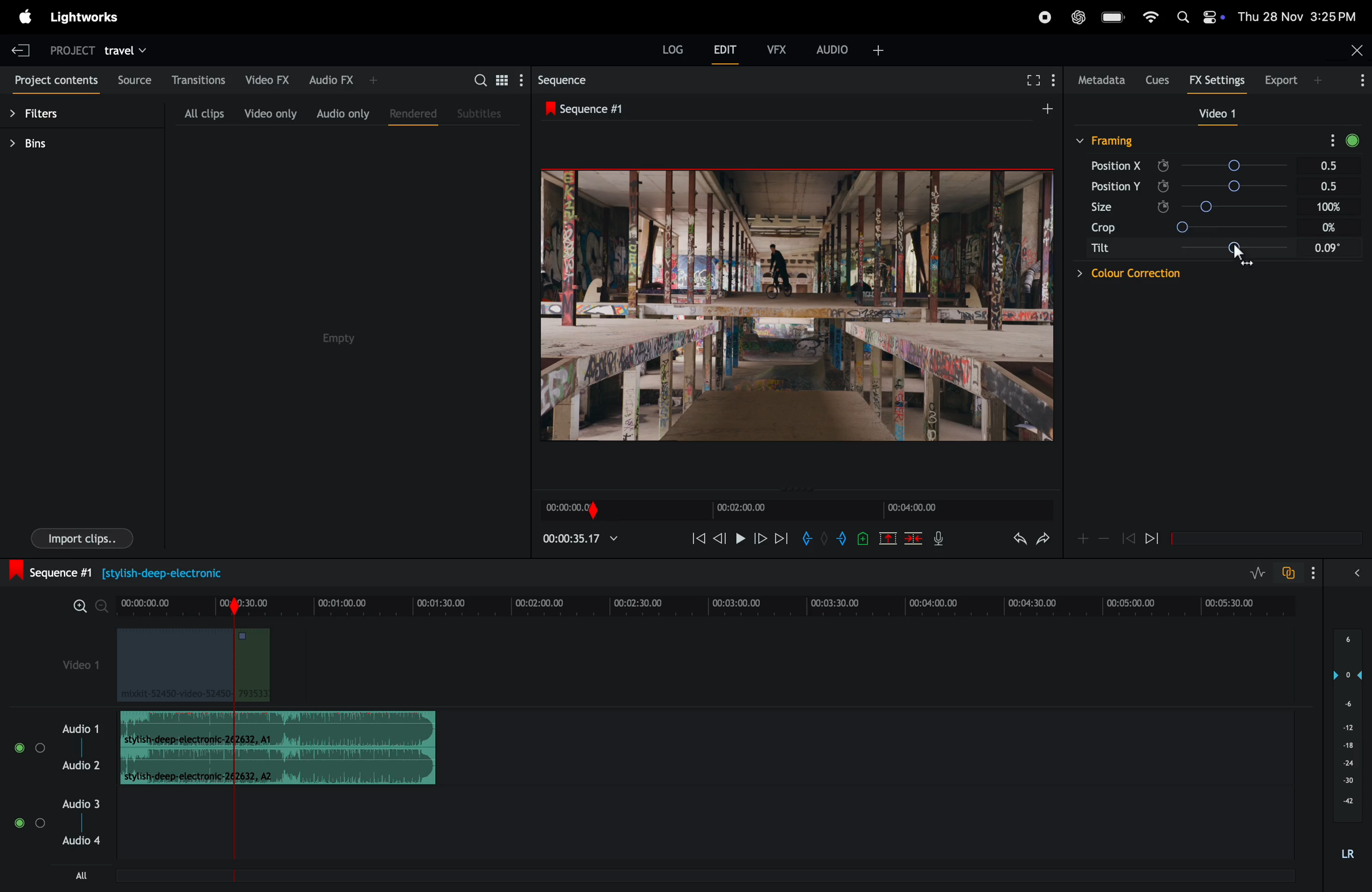 This screenshot has height=892, width=1372. I want to click on time frame, so click(710, 603).